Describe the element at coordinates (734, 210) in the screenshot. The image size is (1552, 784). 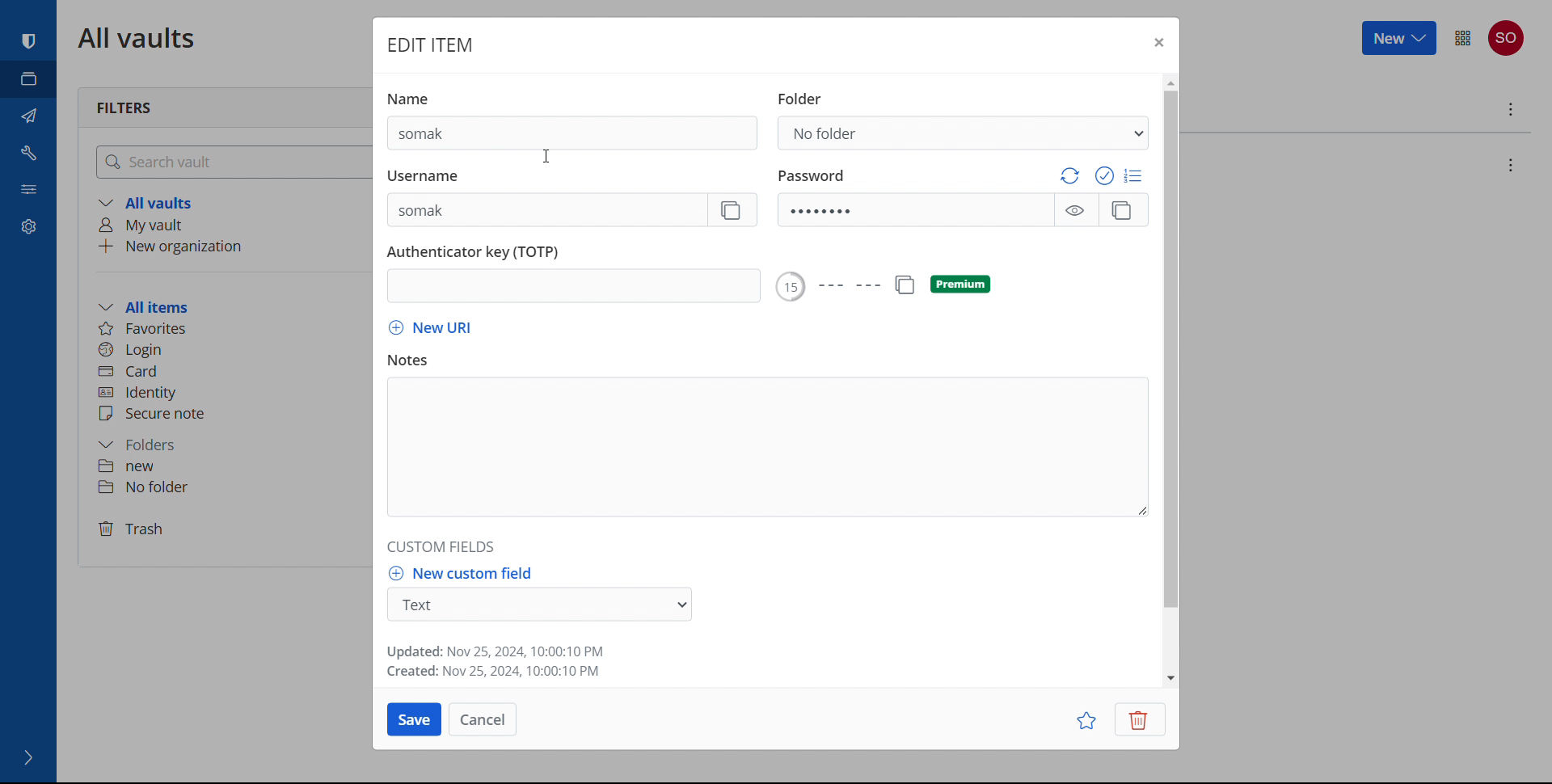
I see `copy username` at that location.